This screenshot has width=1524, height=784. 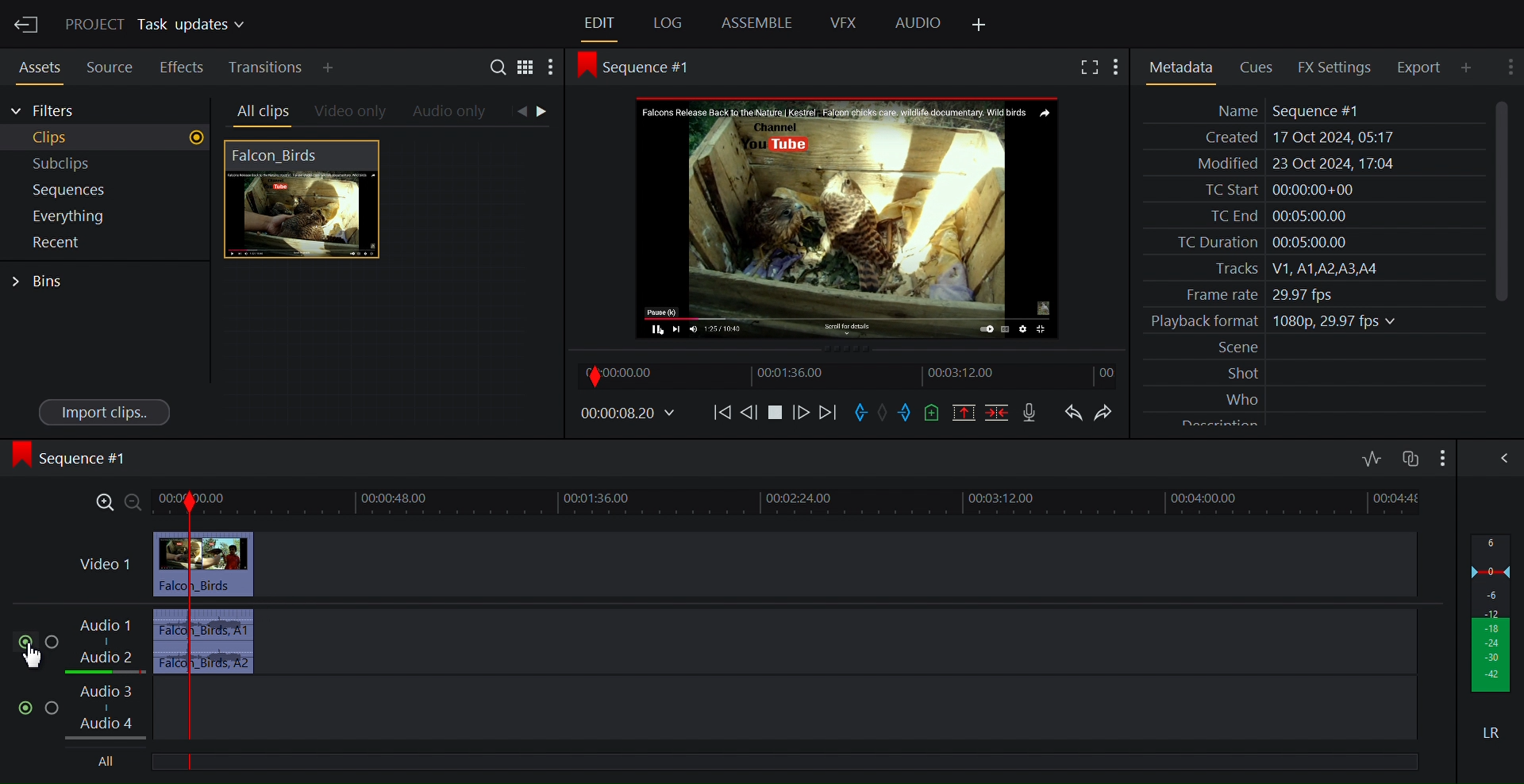 I want to click on Move Forward, so click(x=827, y=415).